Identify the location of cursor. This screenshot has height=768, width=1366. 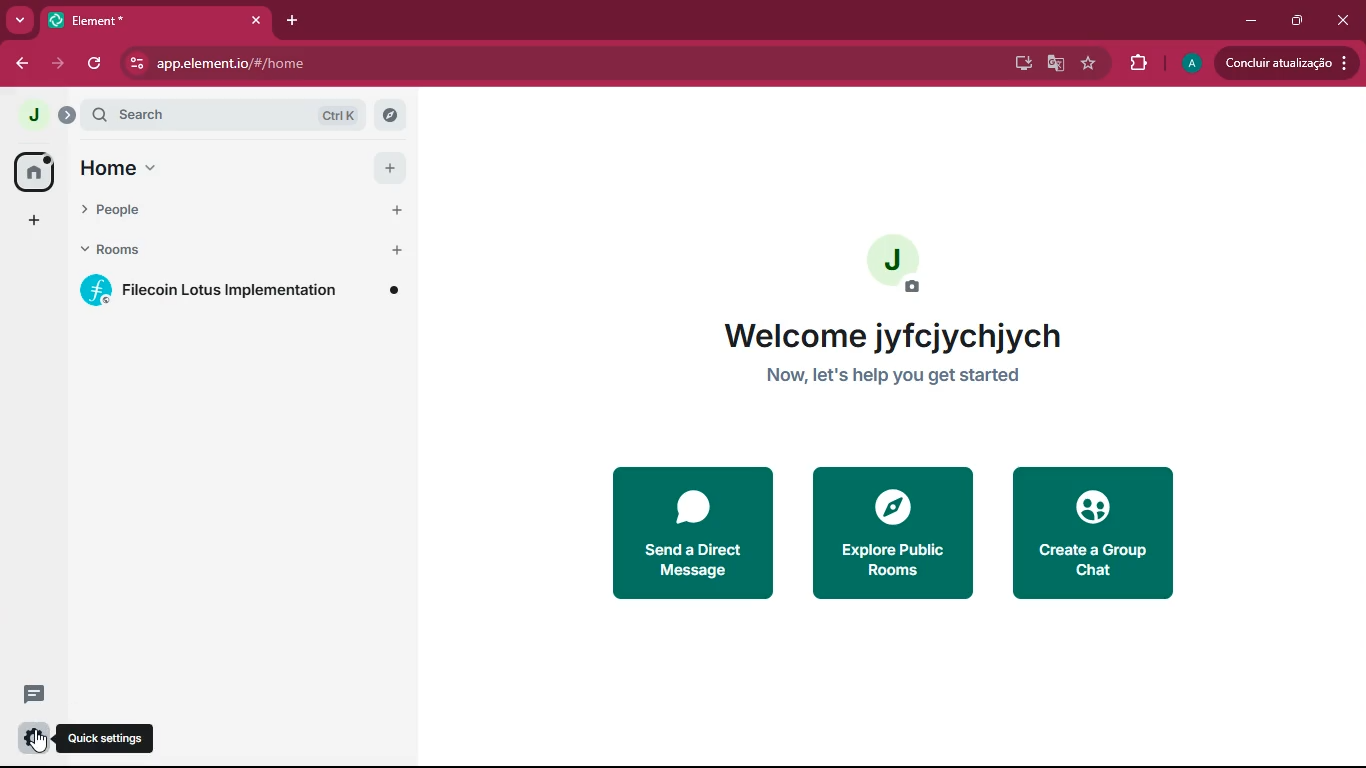
(39, 742).